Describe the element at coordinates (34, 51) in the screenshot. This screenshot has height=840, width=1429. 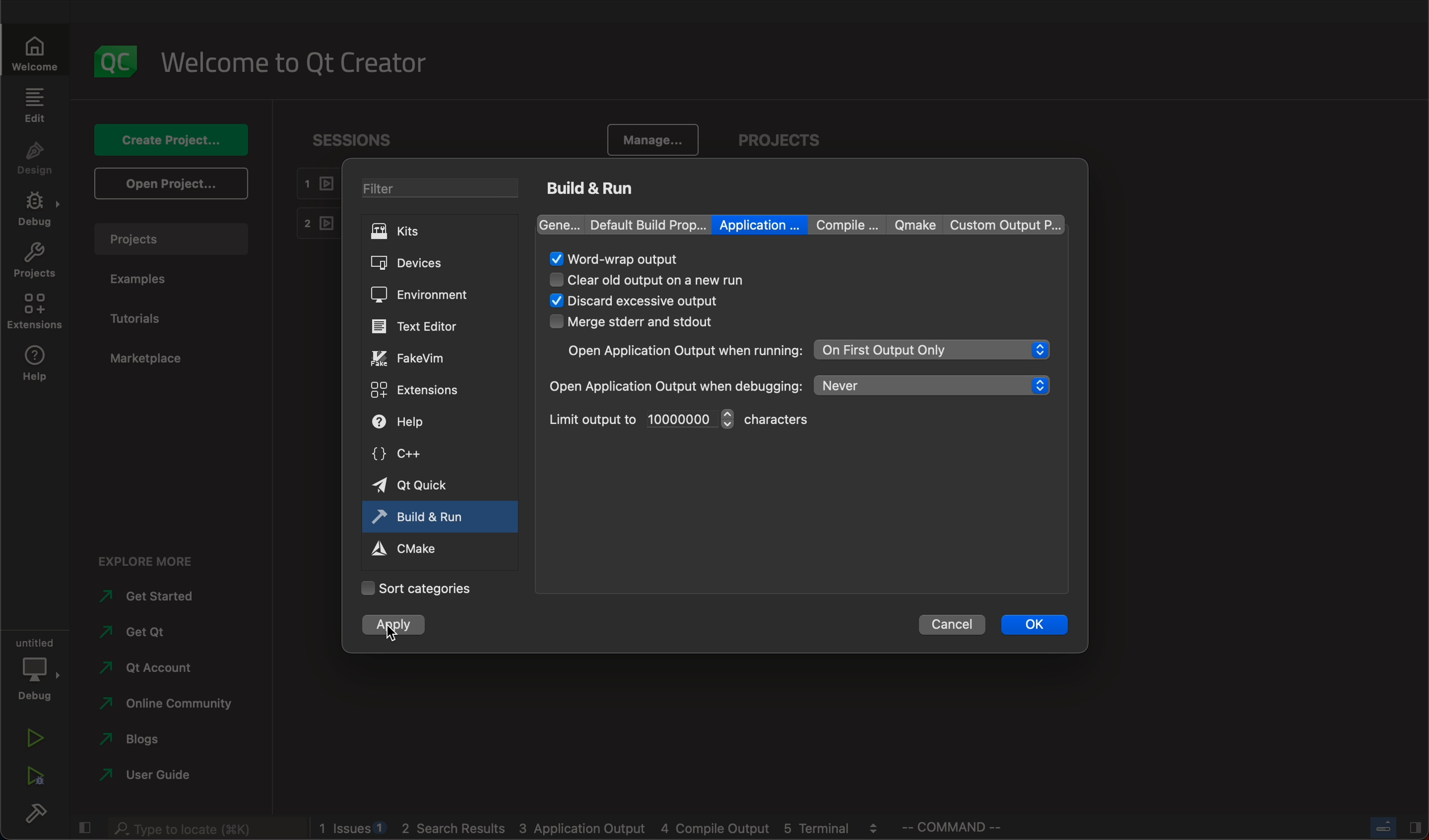
I see `welcome` at that location.